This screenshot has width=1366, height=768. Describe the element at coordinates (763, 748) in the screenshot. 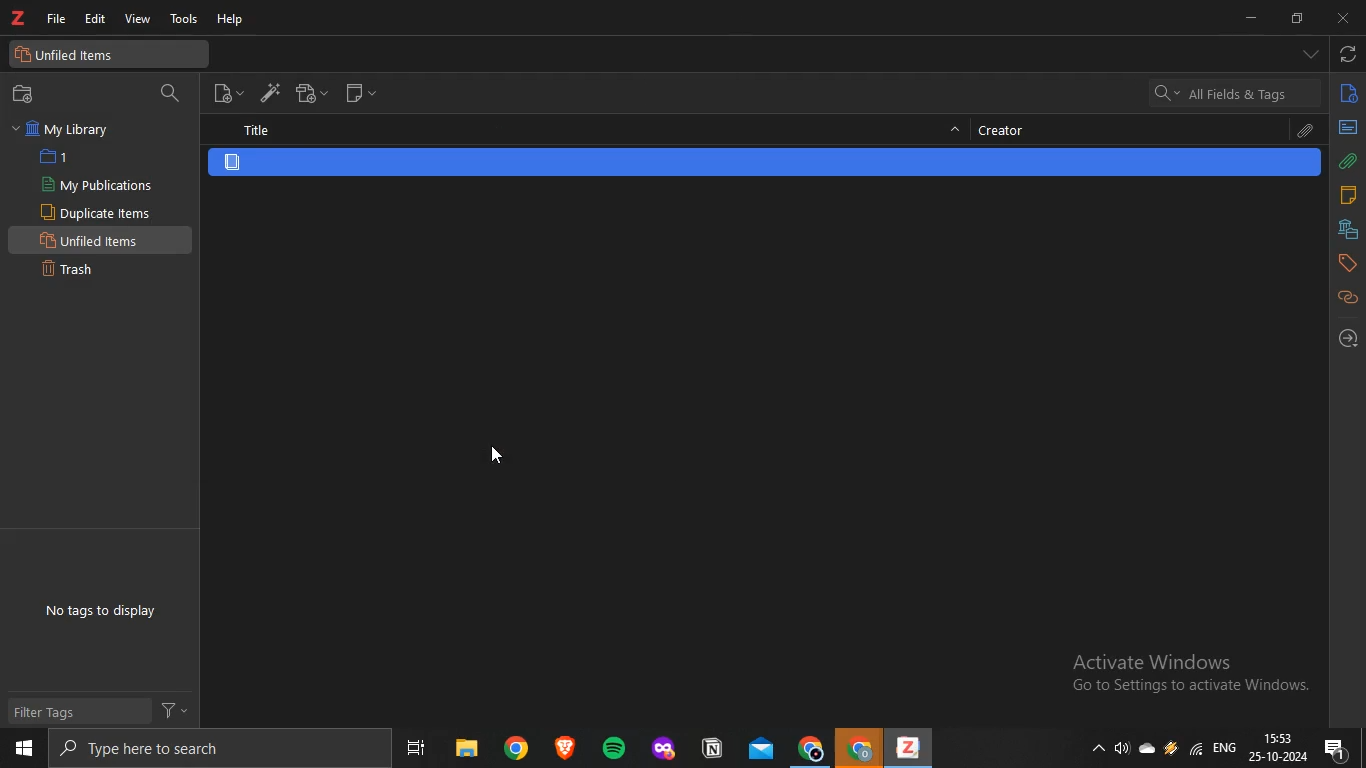

I see `mail` at that location.